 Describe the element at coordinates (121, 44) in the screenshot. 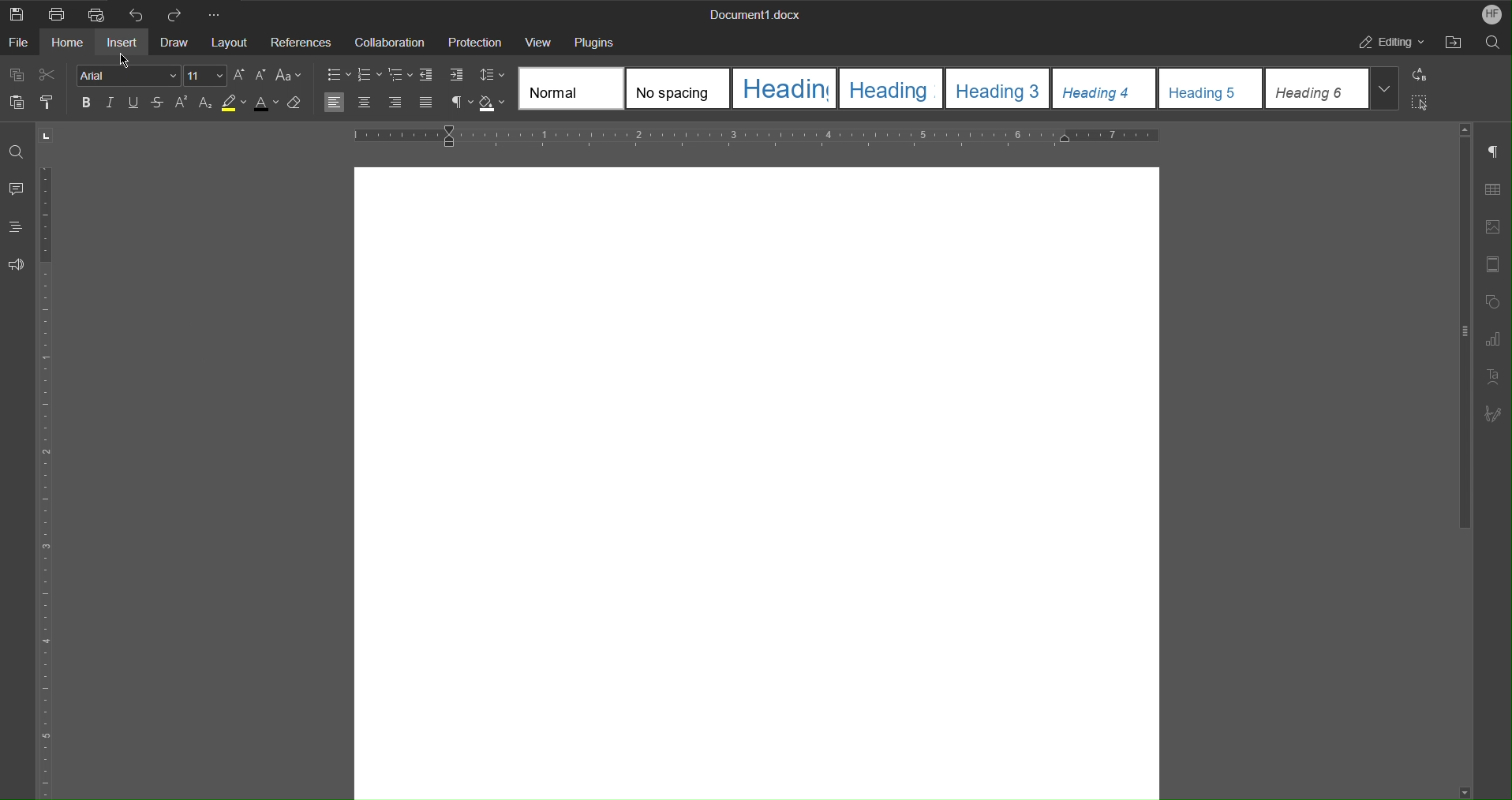

I see `Insert` at that location.